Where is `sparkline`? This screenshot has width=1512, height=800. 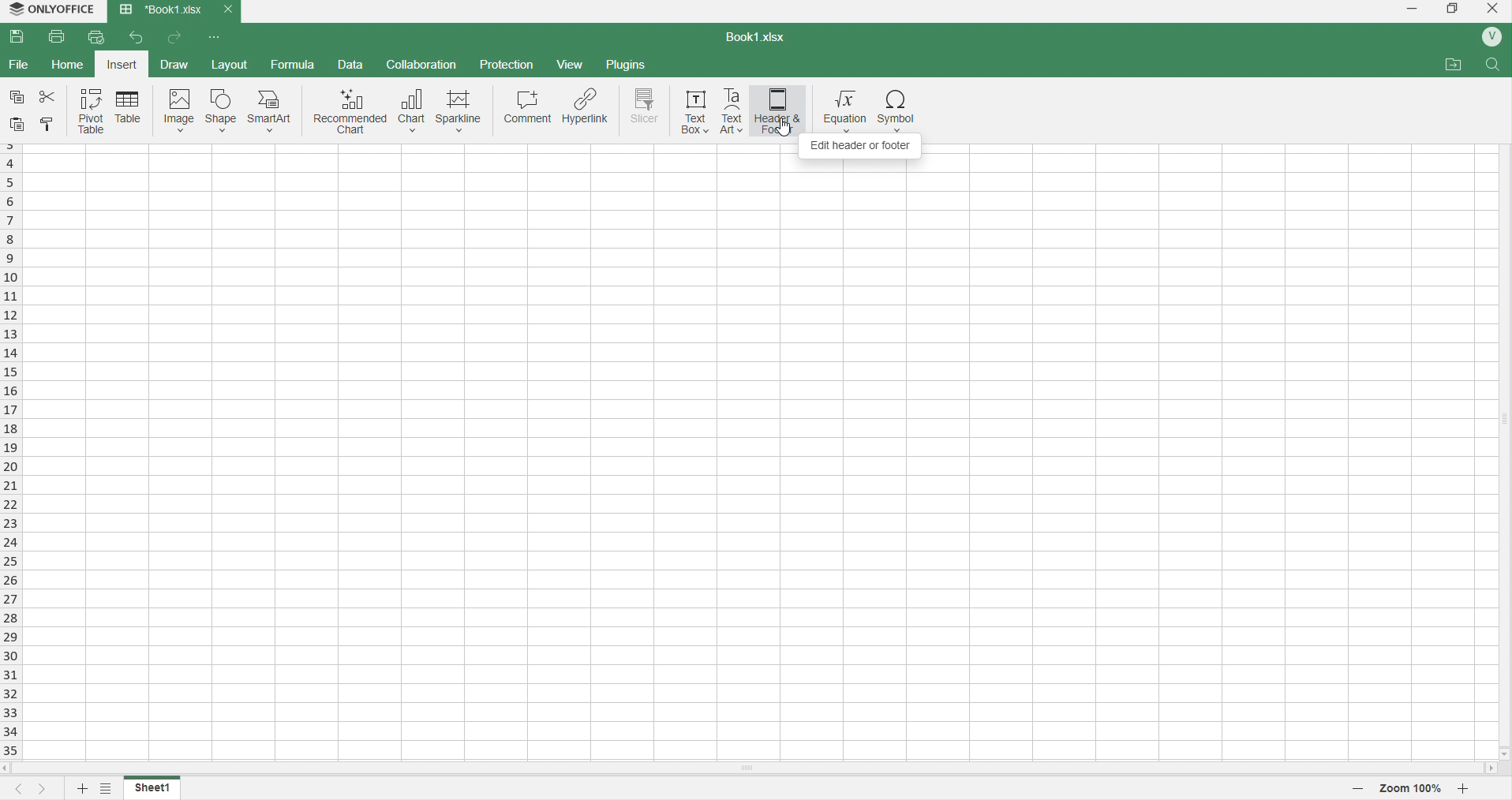
sparkline is located at coordinates (459, 112).